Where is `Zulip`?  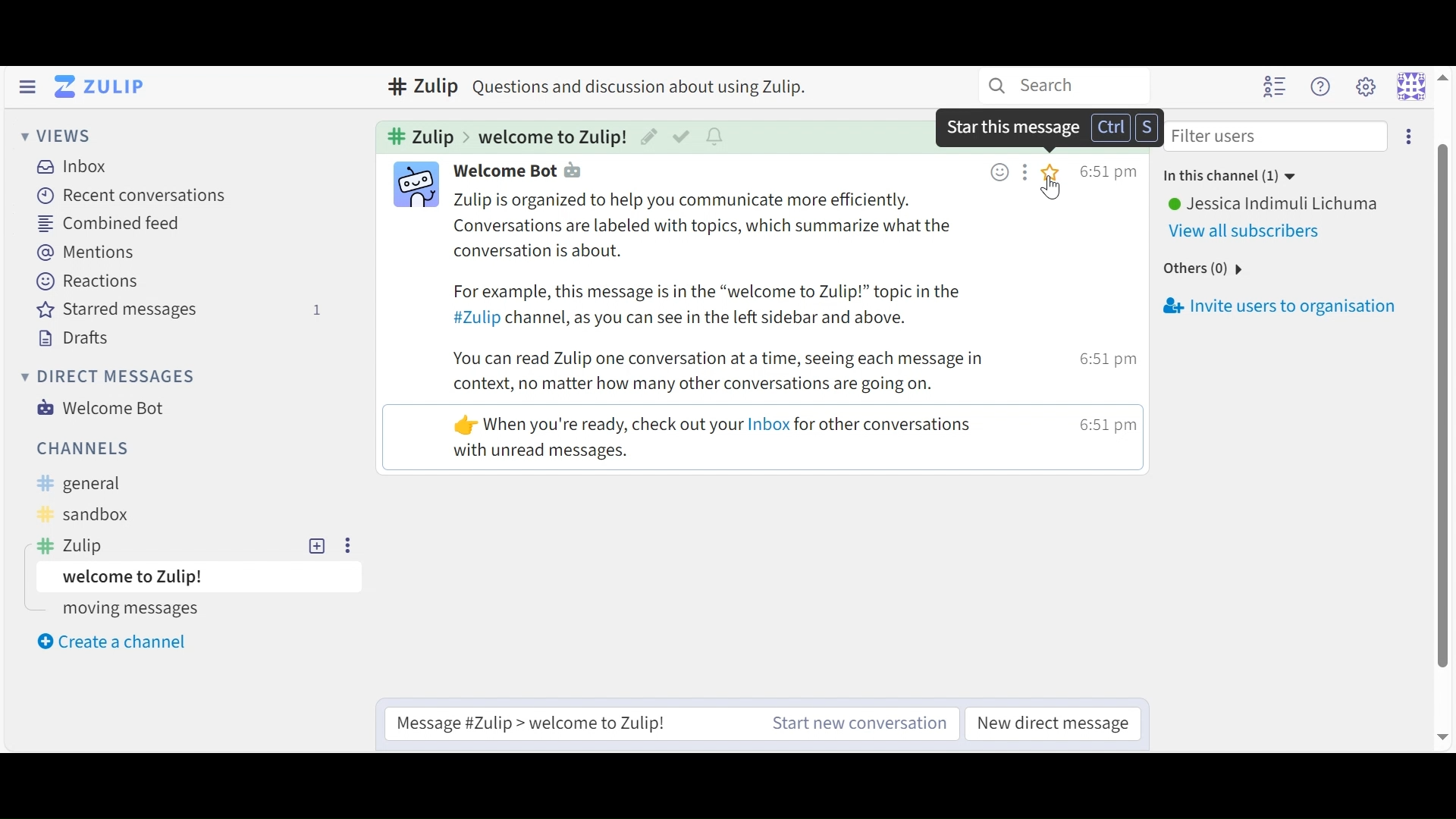
Zulip is located at coordinates (74, 545).